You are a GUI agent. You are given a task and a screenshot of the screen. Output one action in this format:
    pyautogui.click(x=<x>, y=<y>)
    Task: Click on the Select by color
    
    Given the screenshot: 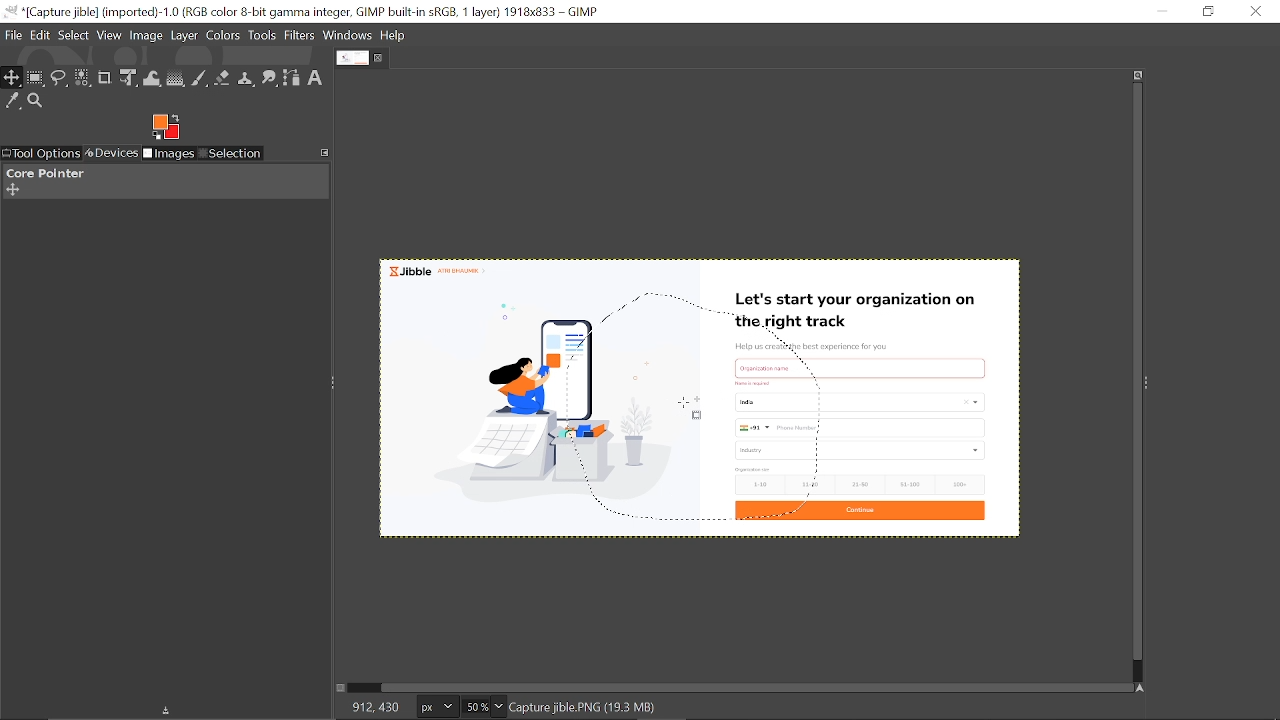 What is the action you would take?
    pyautogui.click(x=83, y=79)
    